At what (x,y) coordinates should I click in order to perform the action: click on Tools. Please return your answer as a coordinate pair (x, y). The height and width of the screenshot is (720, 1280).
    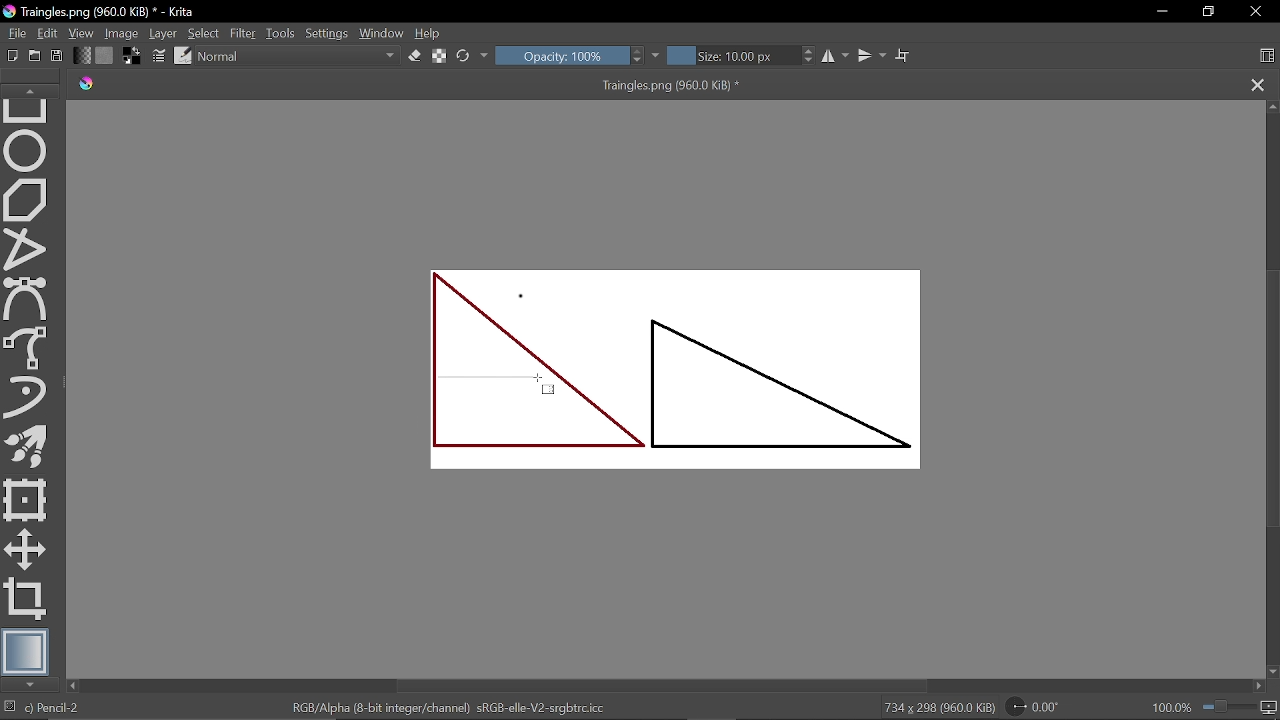
    Looking at the image, I should click on (282, 33).